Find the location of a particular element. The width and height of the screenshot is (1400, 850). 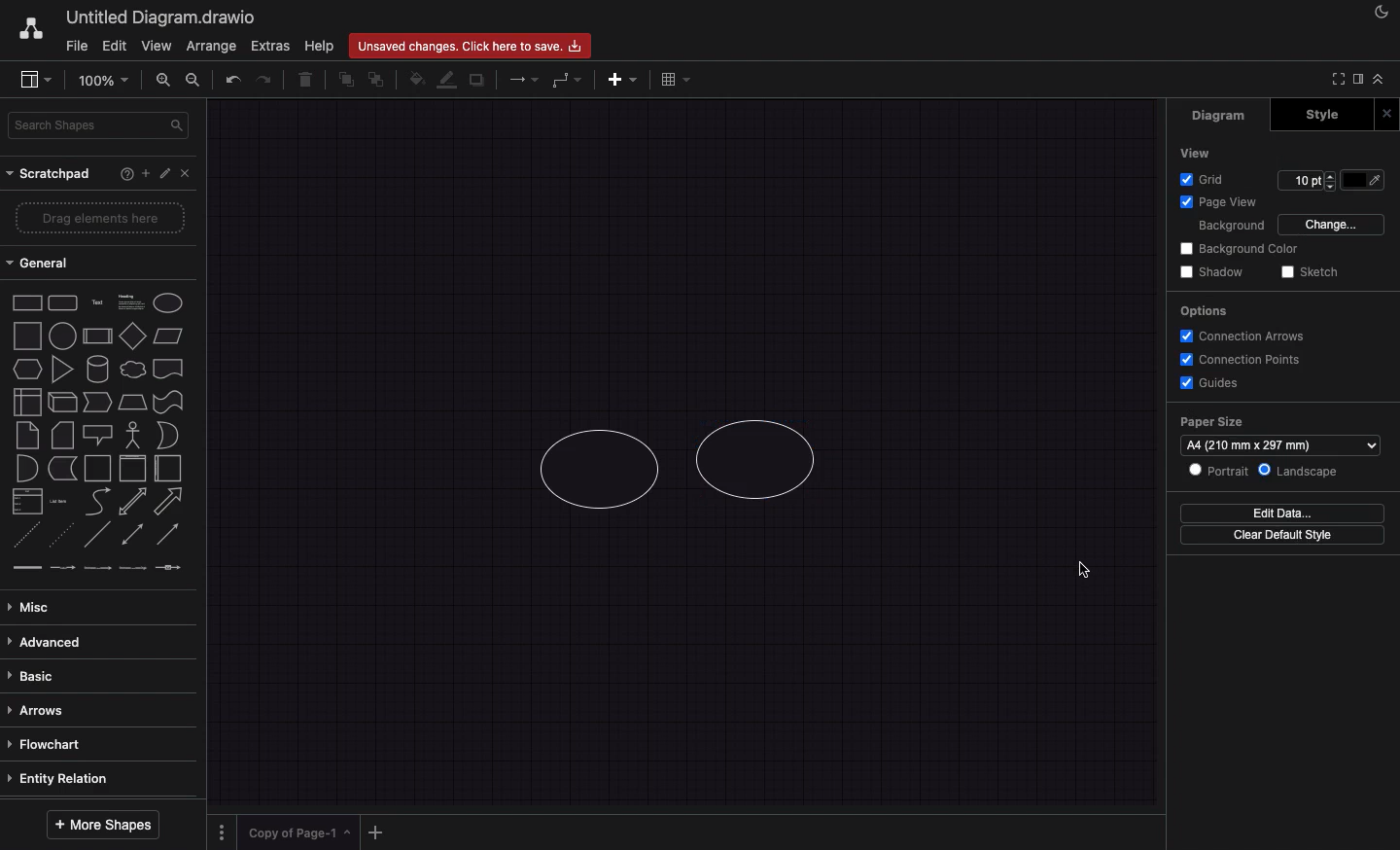

flowchart is located at coordinates (95, 745).